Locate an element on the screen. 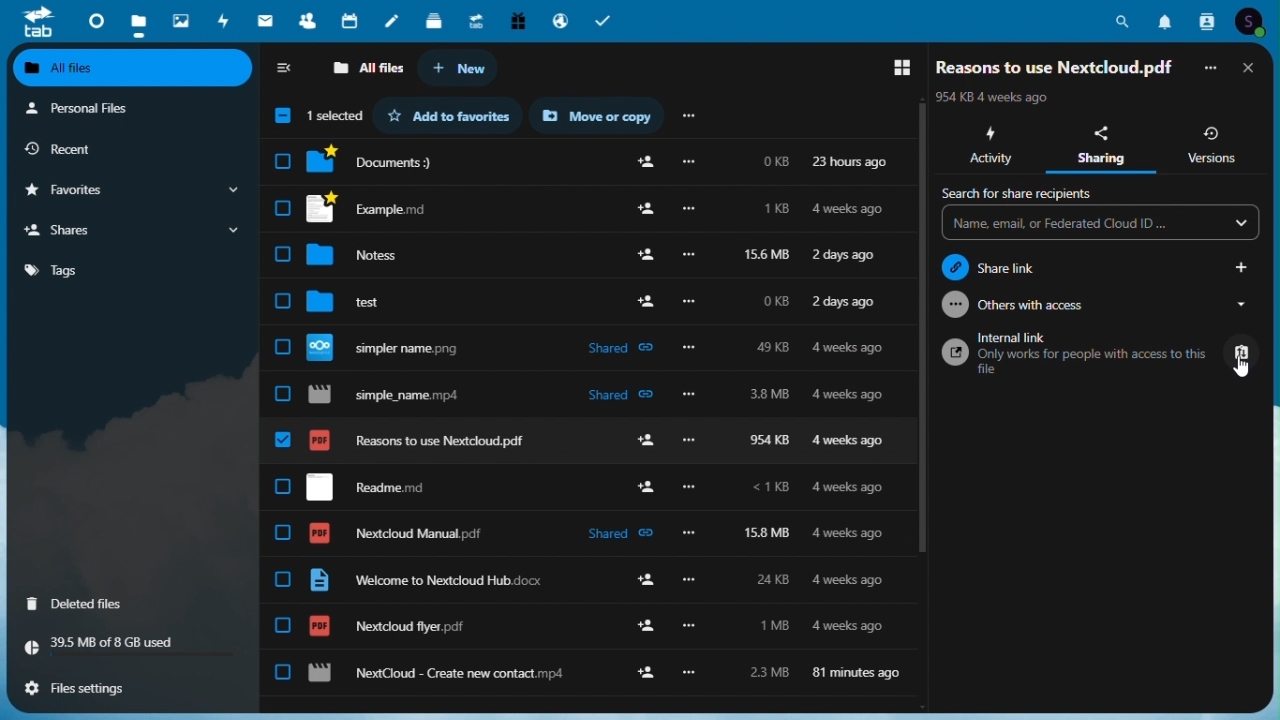 This screenshot has width=1280, height=720. Internal link is located at coordinates (1102, 355).